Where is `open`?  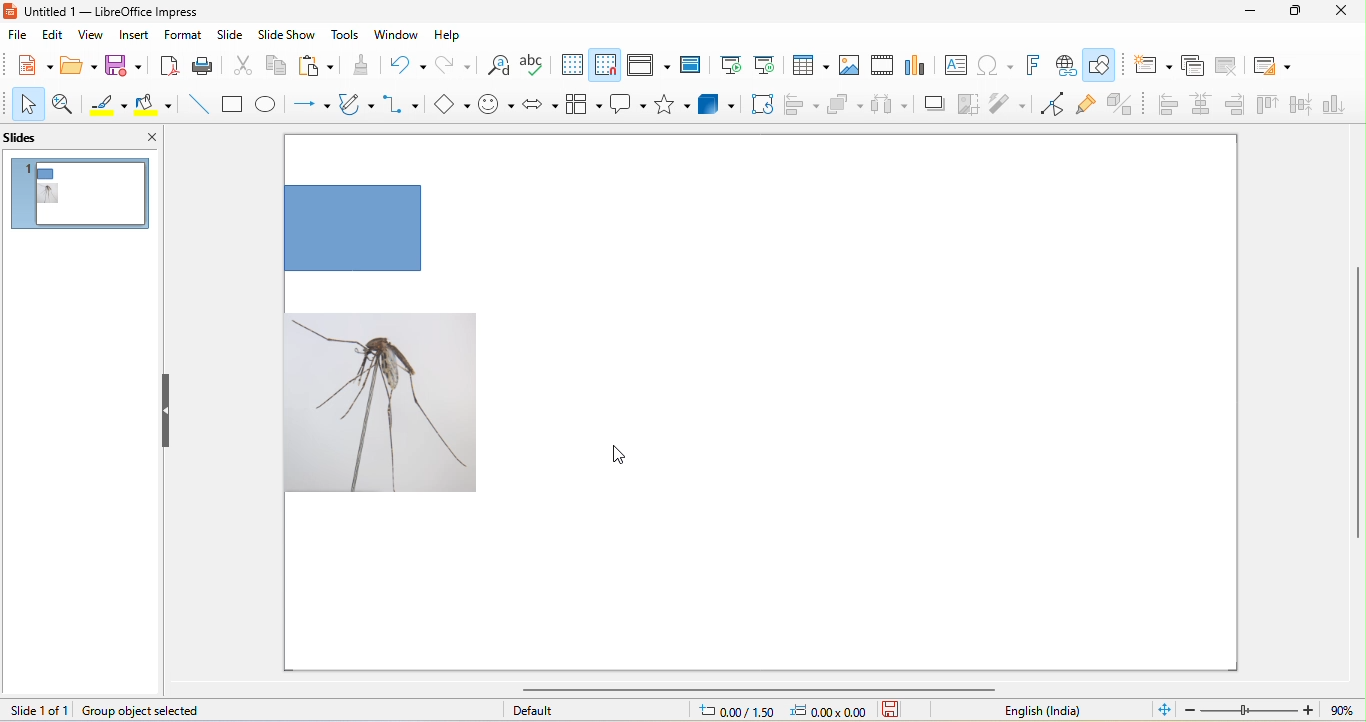 open is located at coordinates (79, 66).